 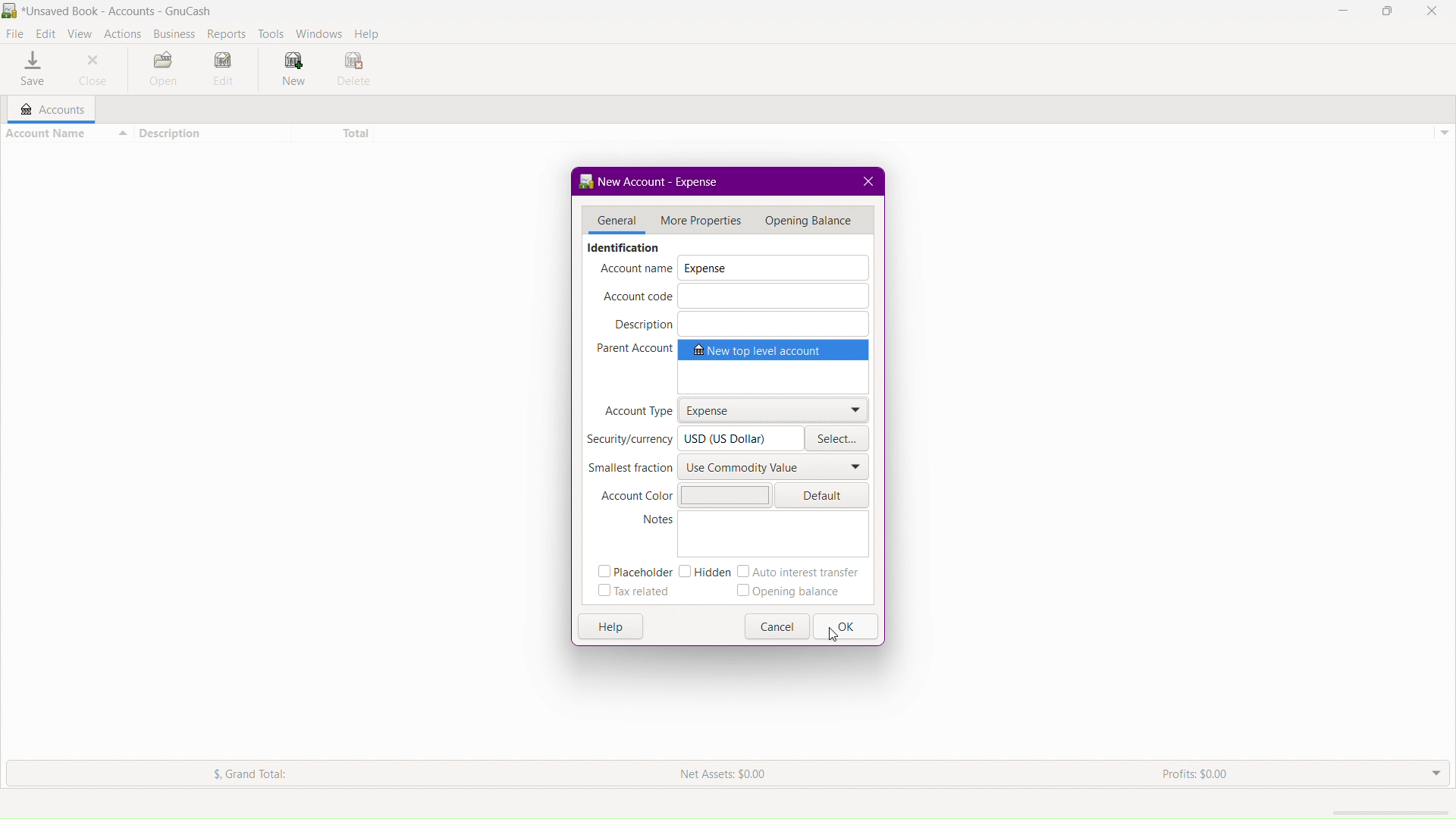 I want to click on Windows, so click(x=319, y=32).